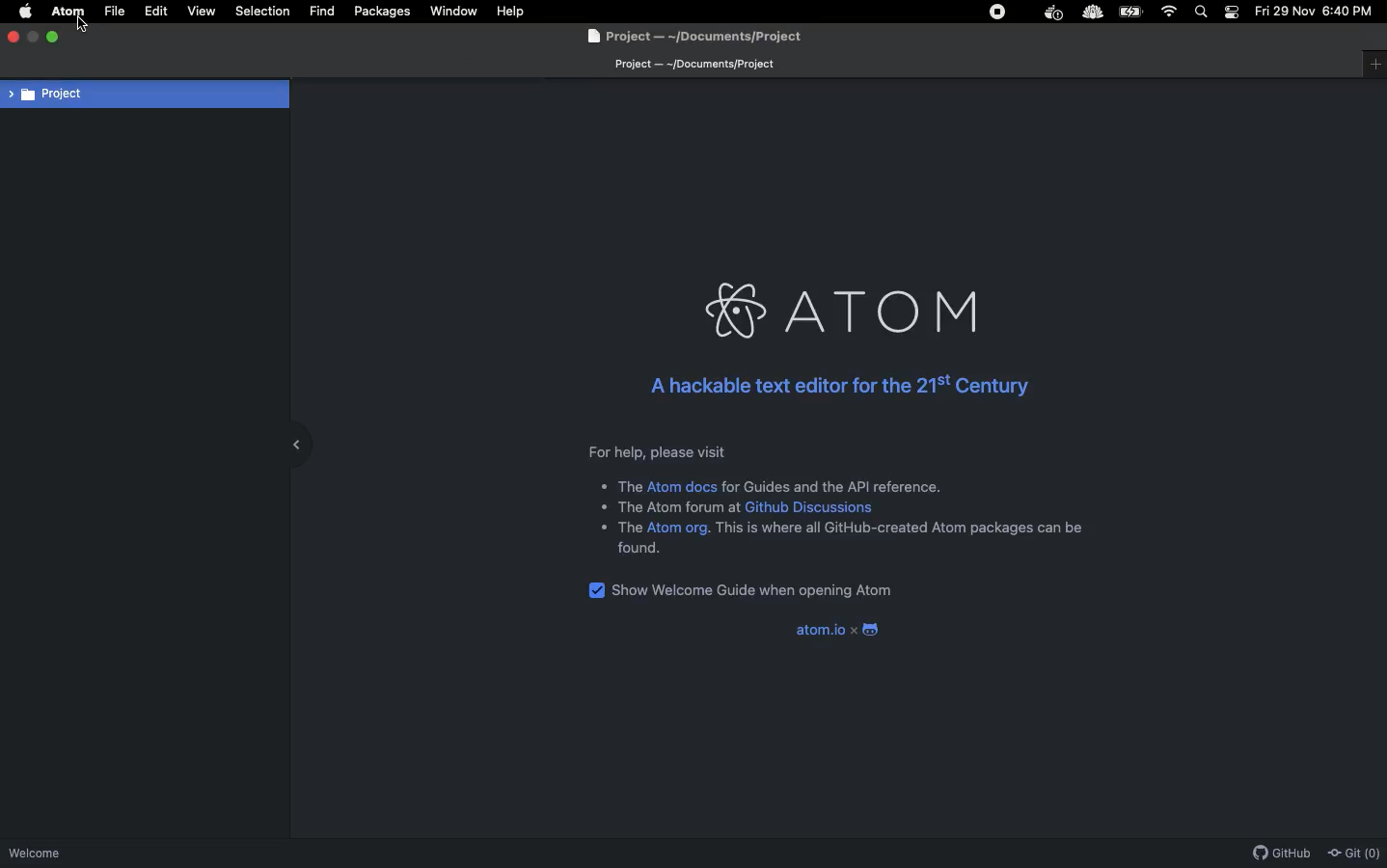 The width and height of the screenshot is (1387, 868). I want to click on Edit, so click(156, 11).